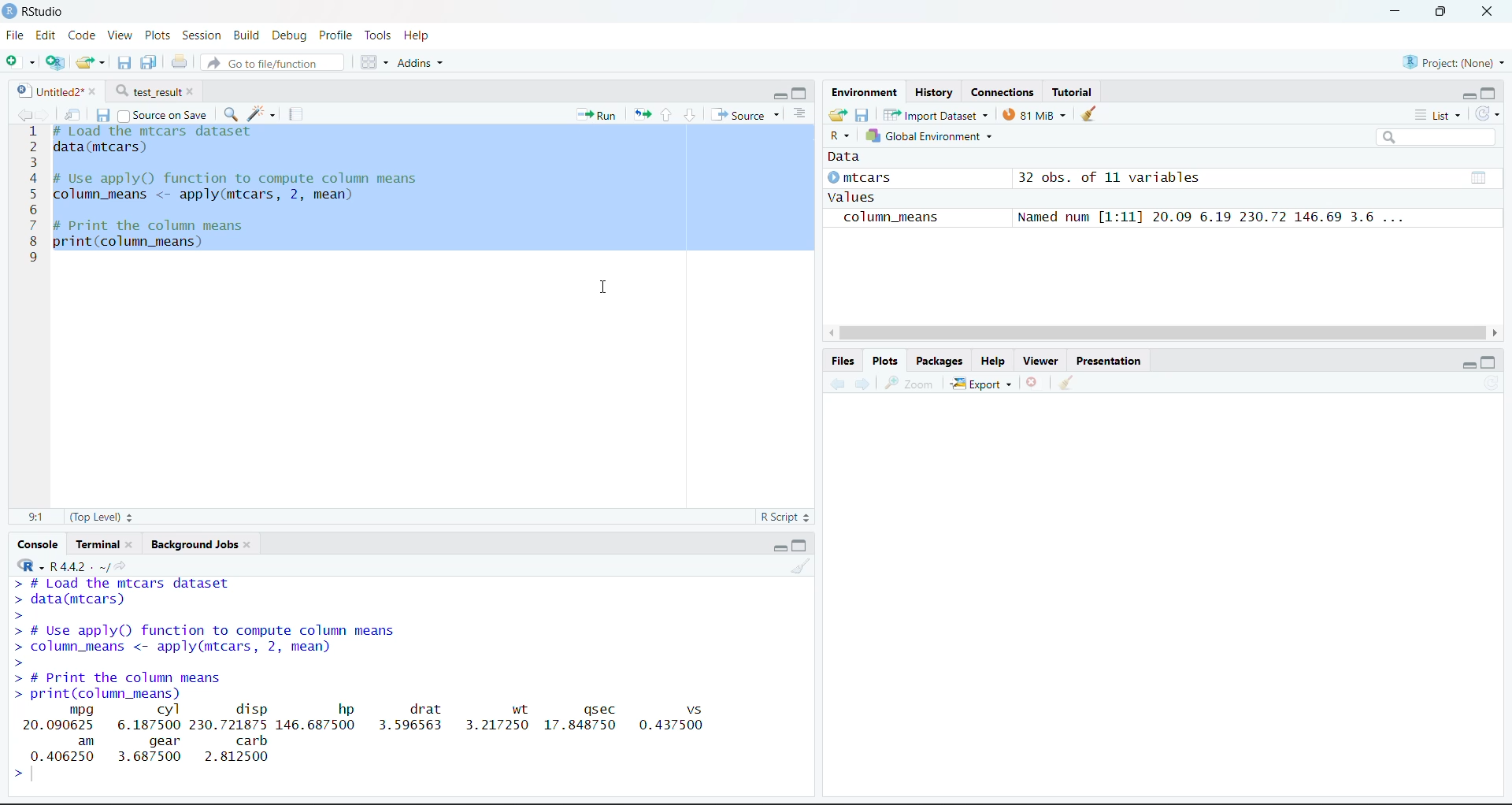 The width and height of the screenshot is (1512, 805). Describe the element at coordinates (936, 114) in the screenshot. I see `Import Dataset` at that location.